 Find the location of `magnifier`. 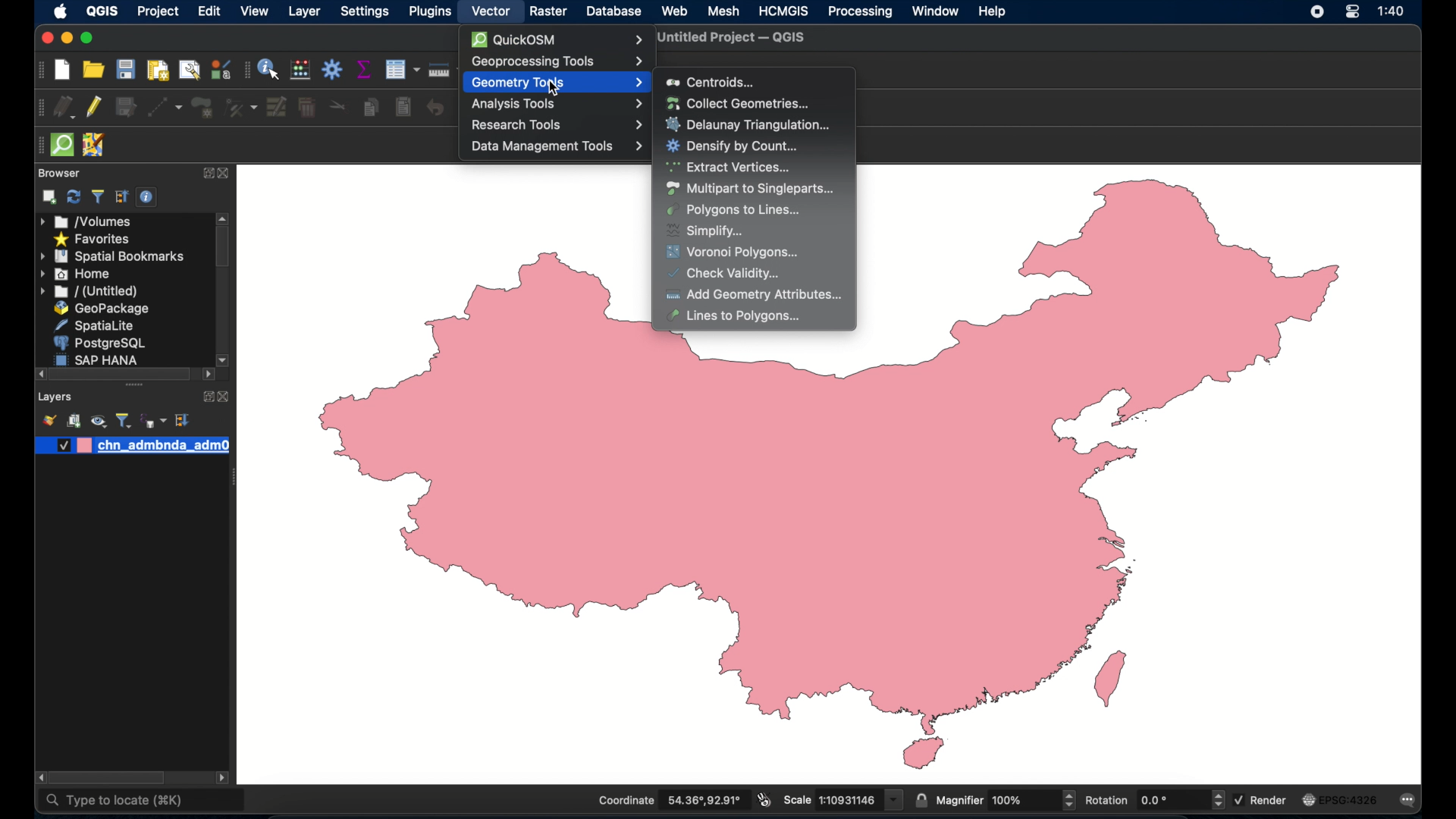

magnifier is located at coordinates (1006, 799).